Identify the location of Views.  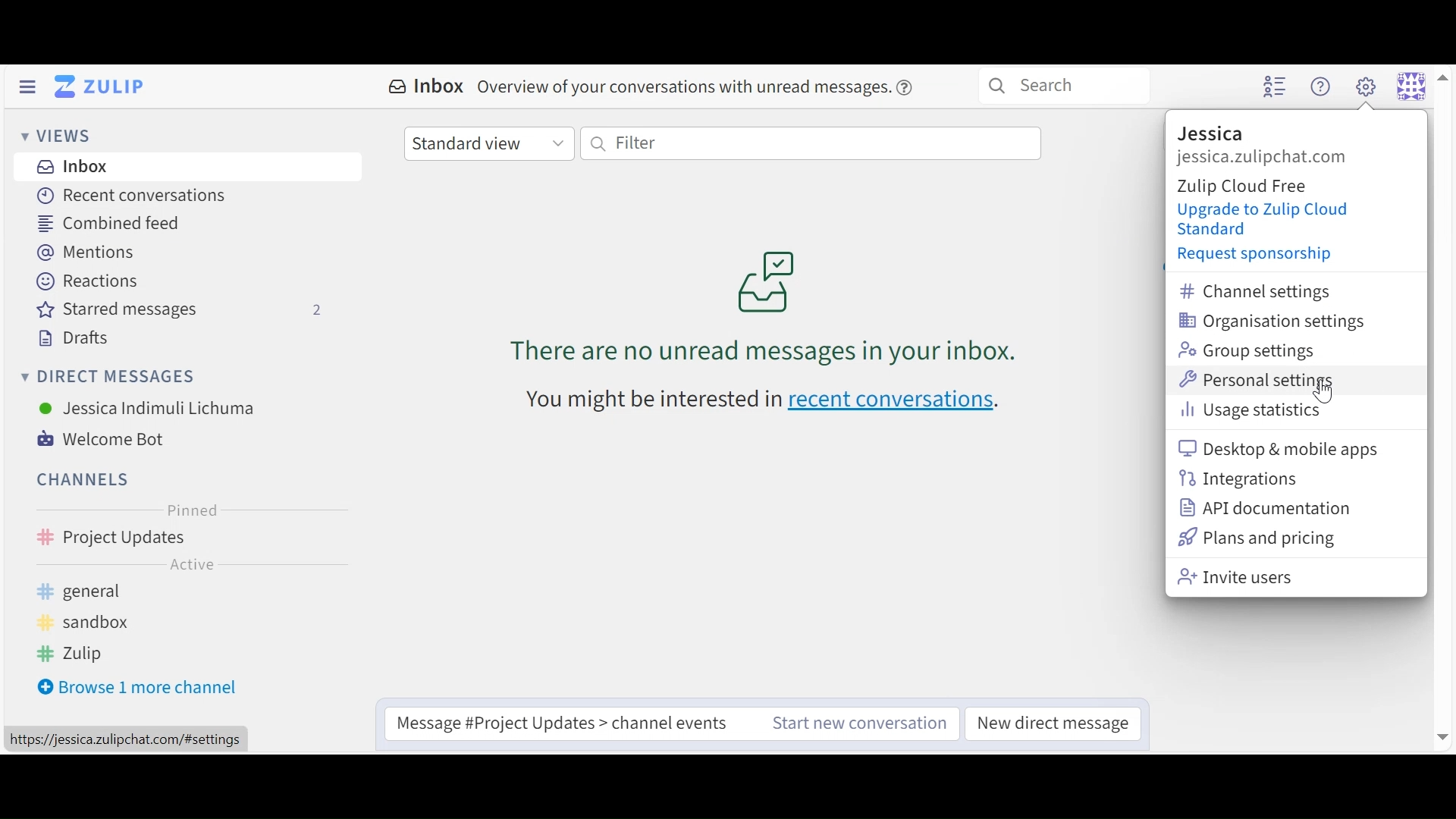
(55, 134).